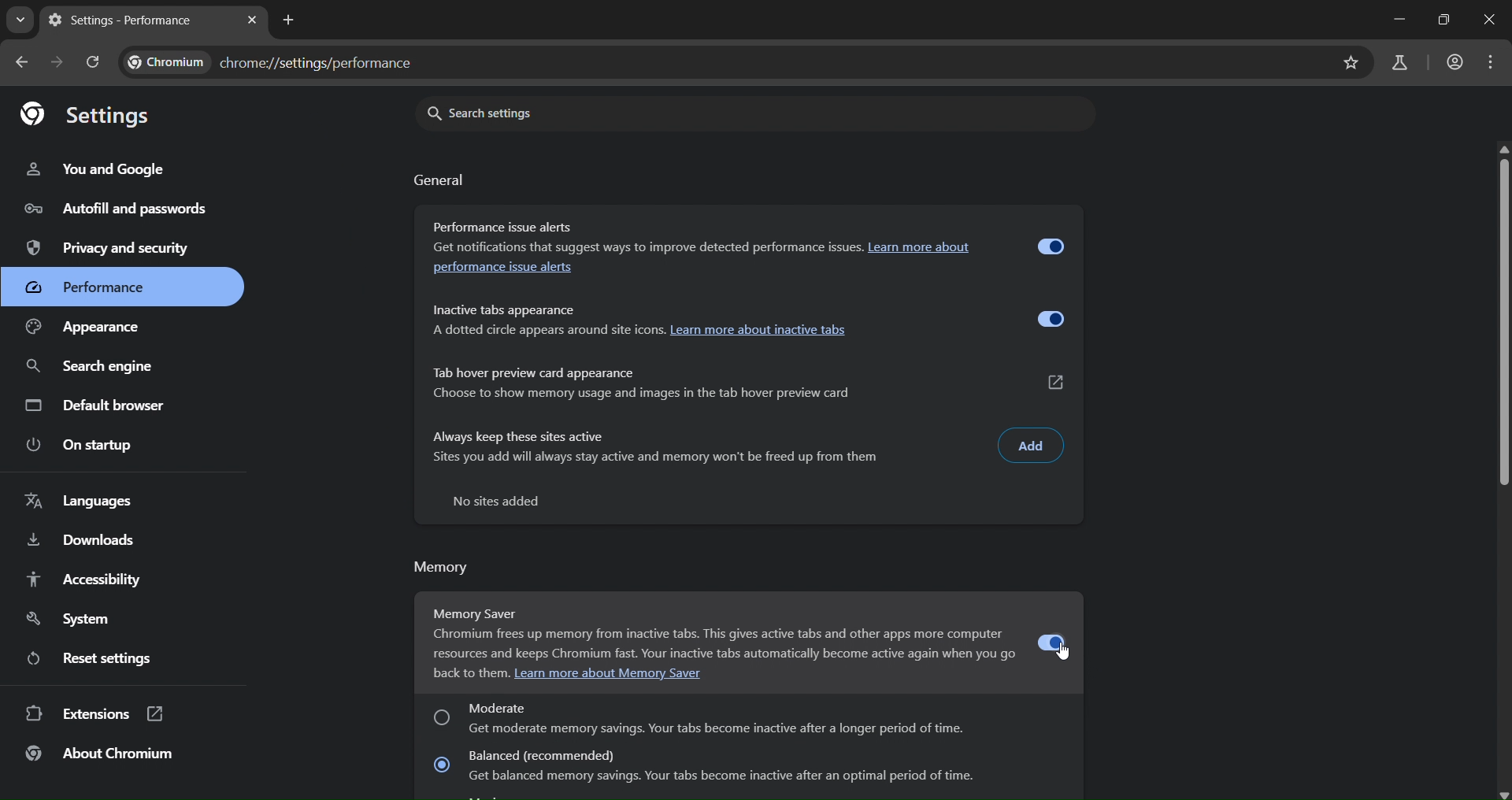 The height and width of the screenshot is (800, 1512). What do you see at coordinates (21, 65) in the screenshot?
I see `go back one page` at bounding box center [21, 65].